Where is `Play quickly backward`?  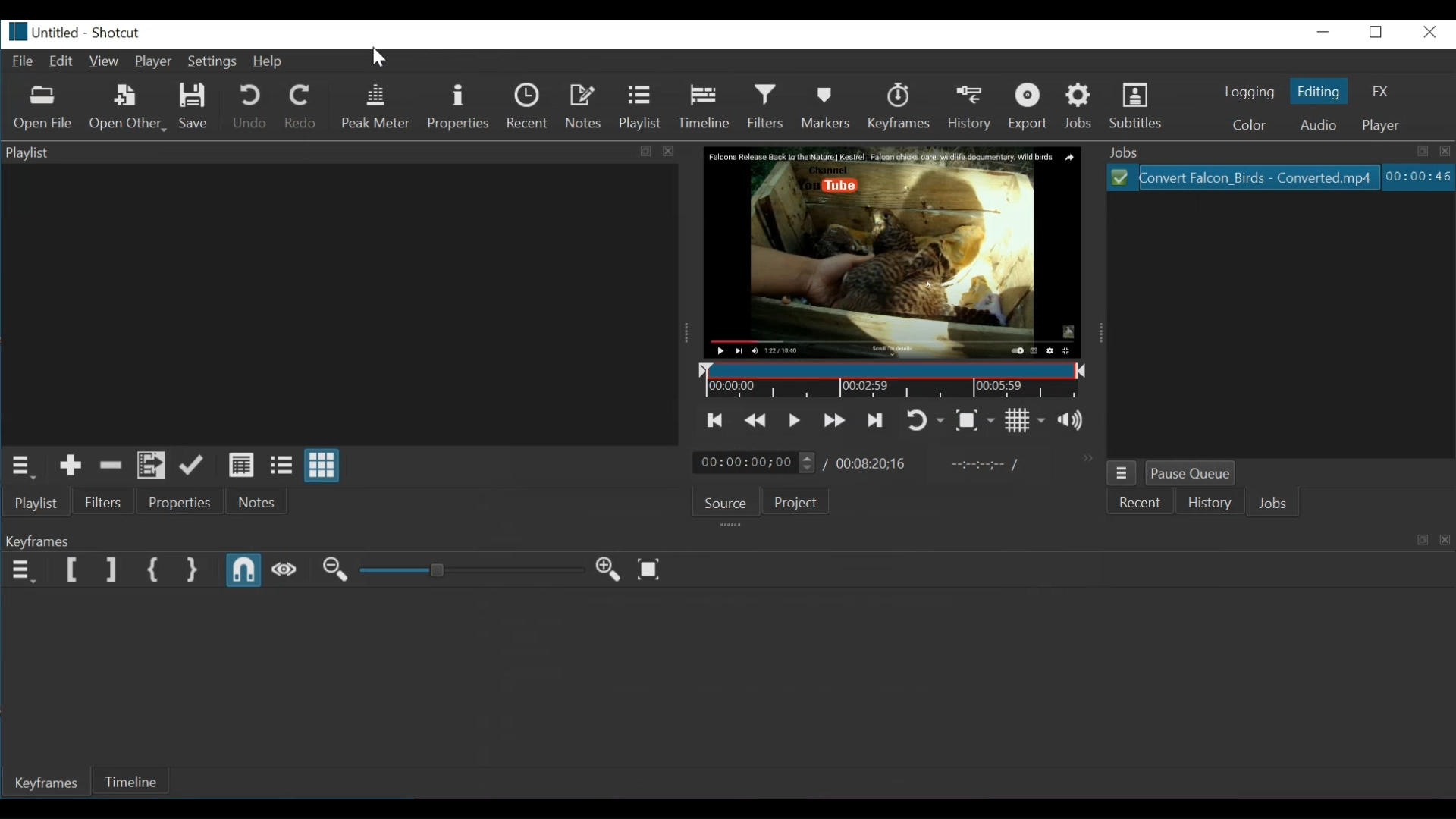 Play quickly backward is located at coordinates (758, 420).